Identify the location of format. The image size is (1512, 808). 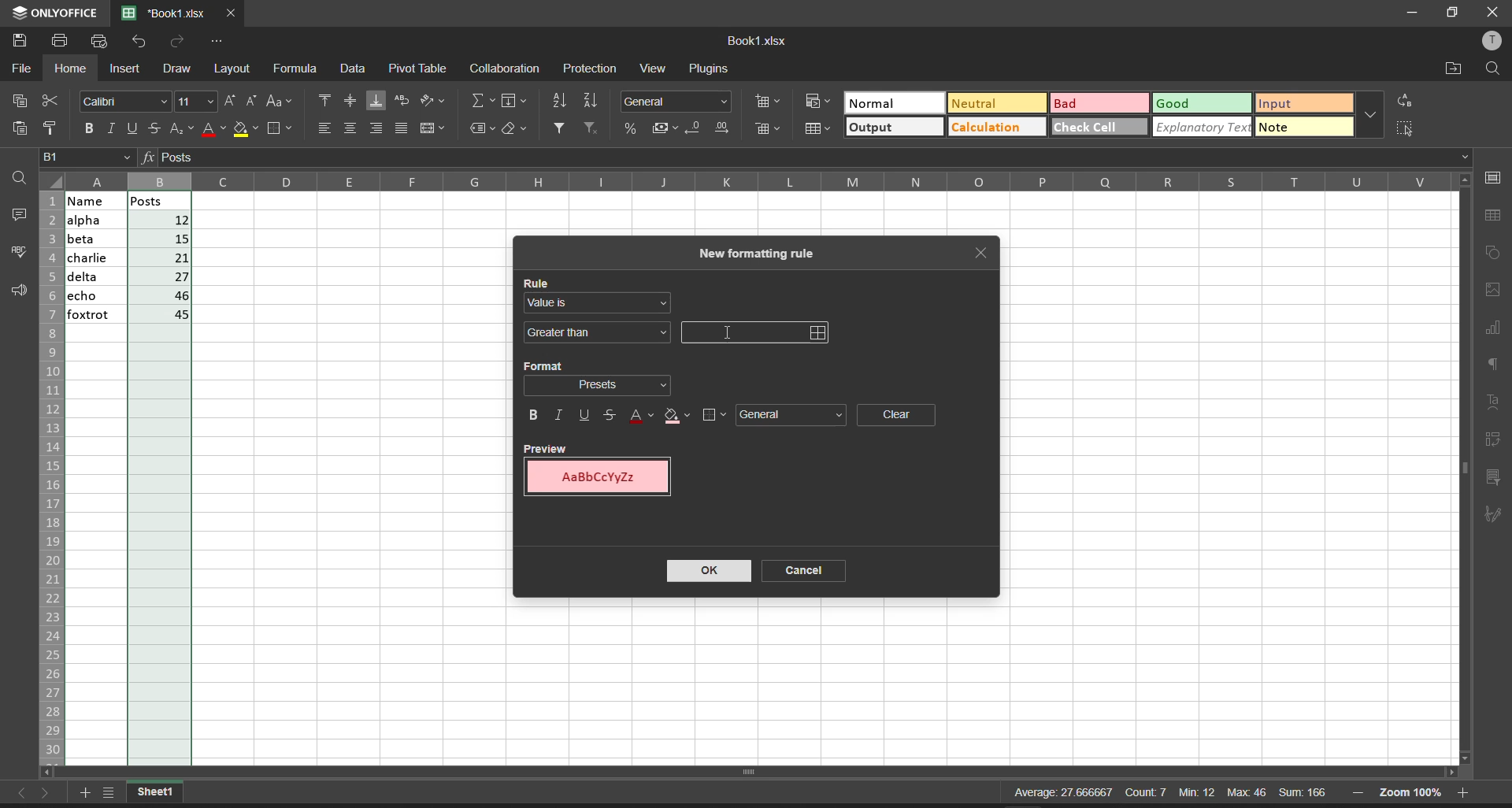
(542, 366).